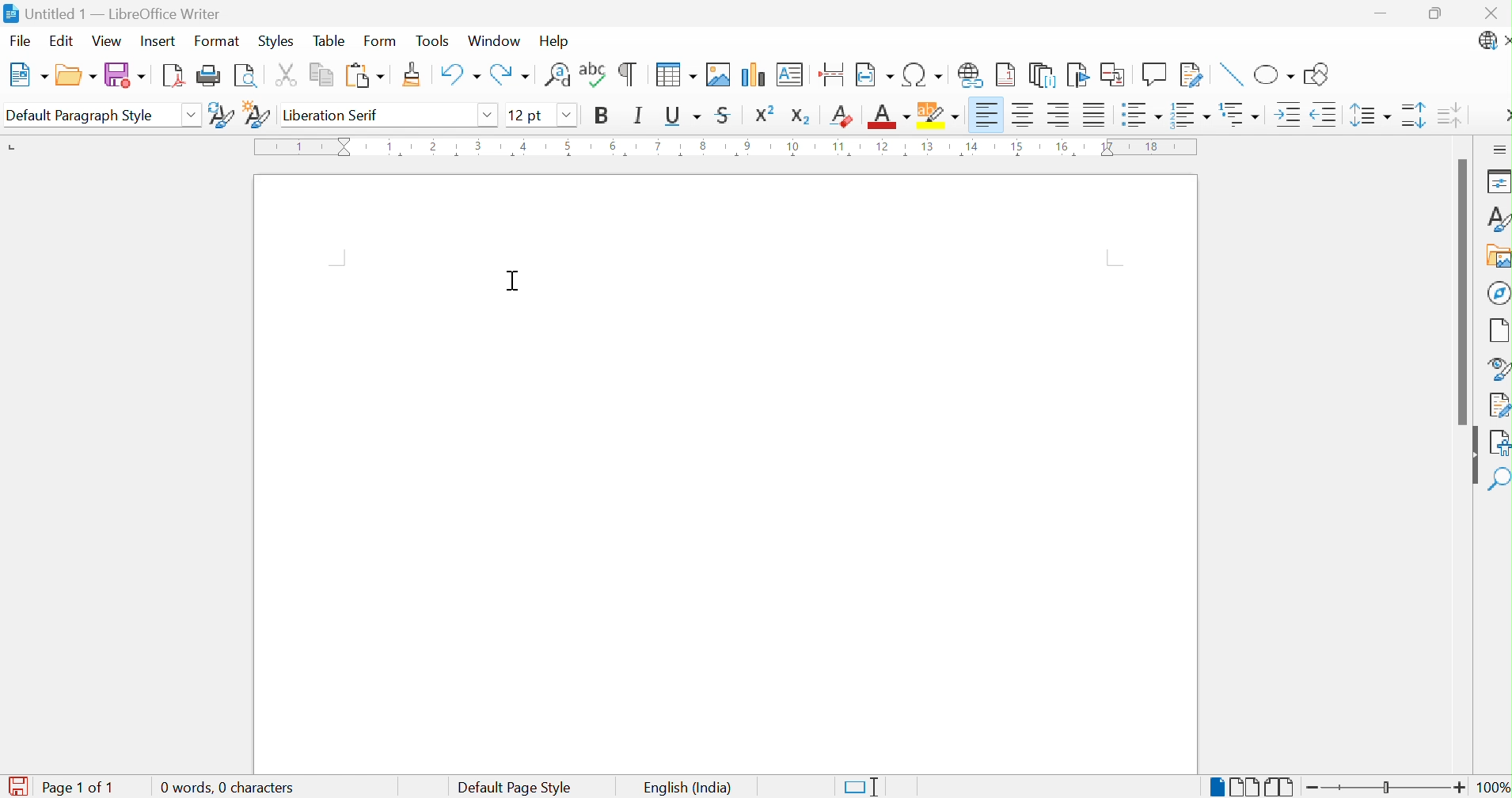 The width and height of the screenshot is (1512, 798). What do you see at coordinates (801, 116) in the screenshot?
I see `Subscript` at bounding box center [801, 116].